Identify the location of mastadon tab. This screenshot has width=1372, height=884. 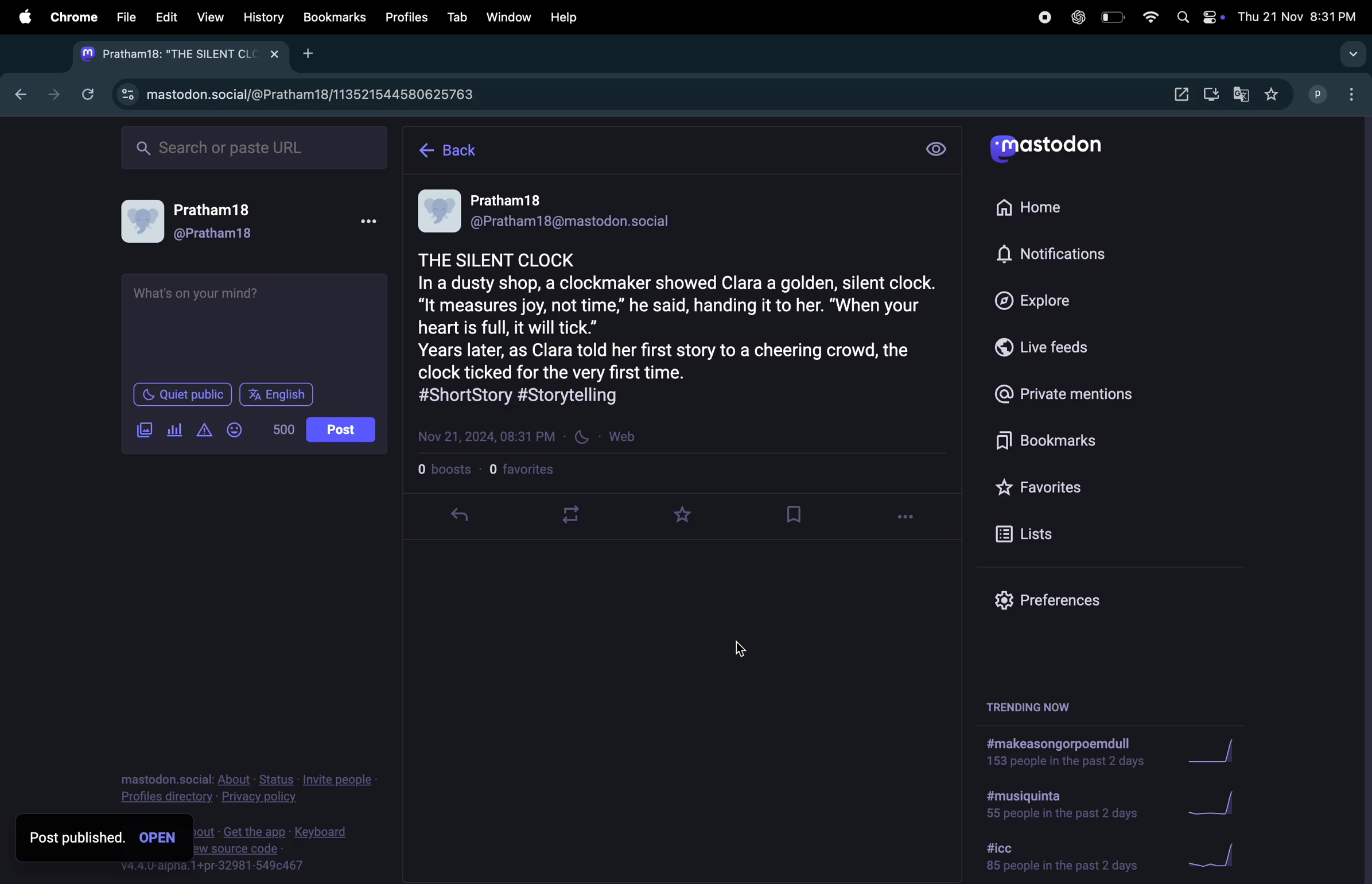
(145, 55).